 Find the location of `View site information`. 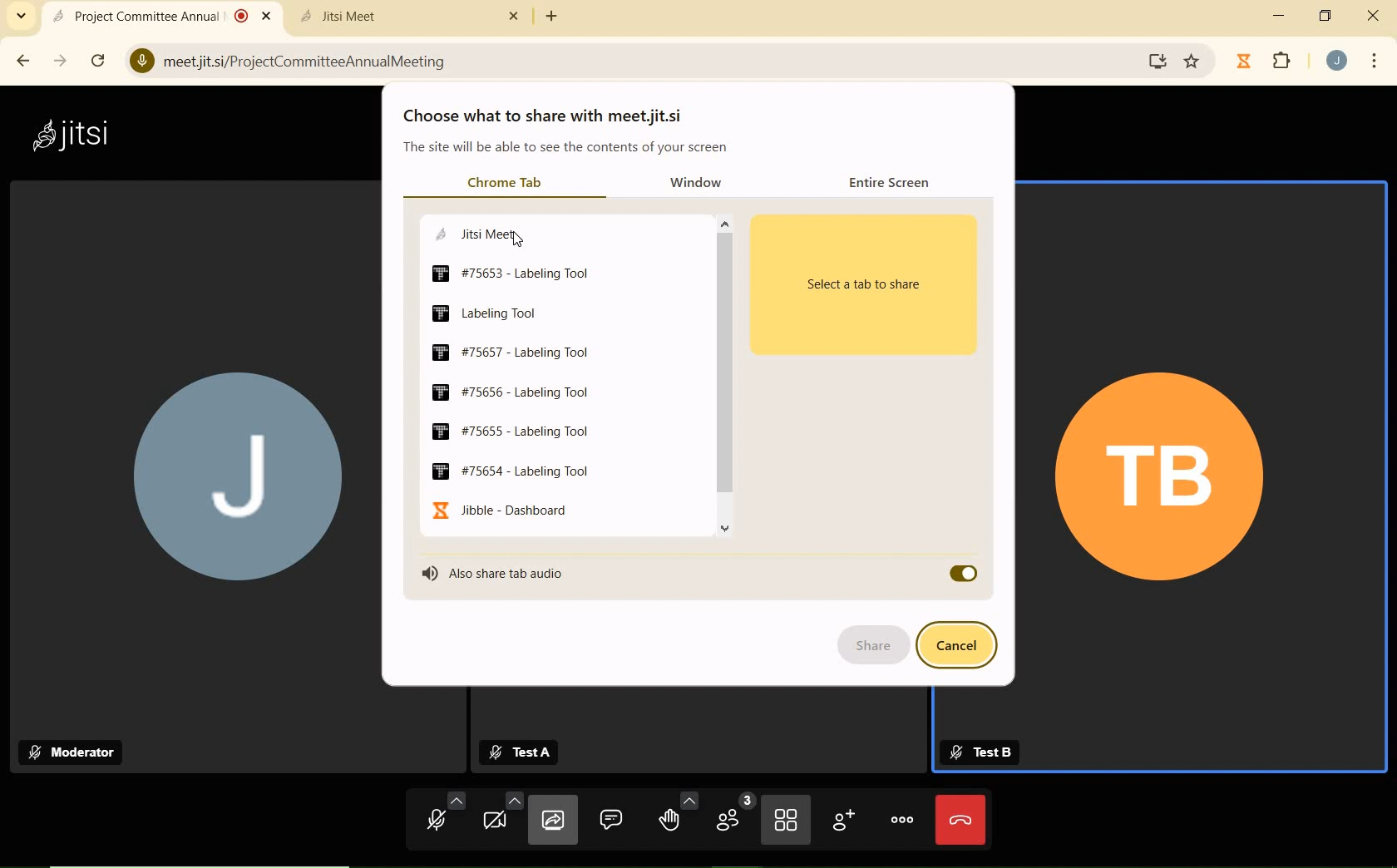

View site information is located at coordinates (141, 60).